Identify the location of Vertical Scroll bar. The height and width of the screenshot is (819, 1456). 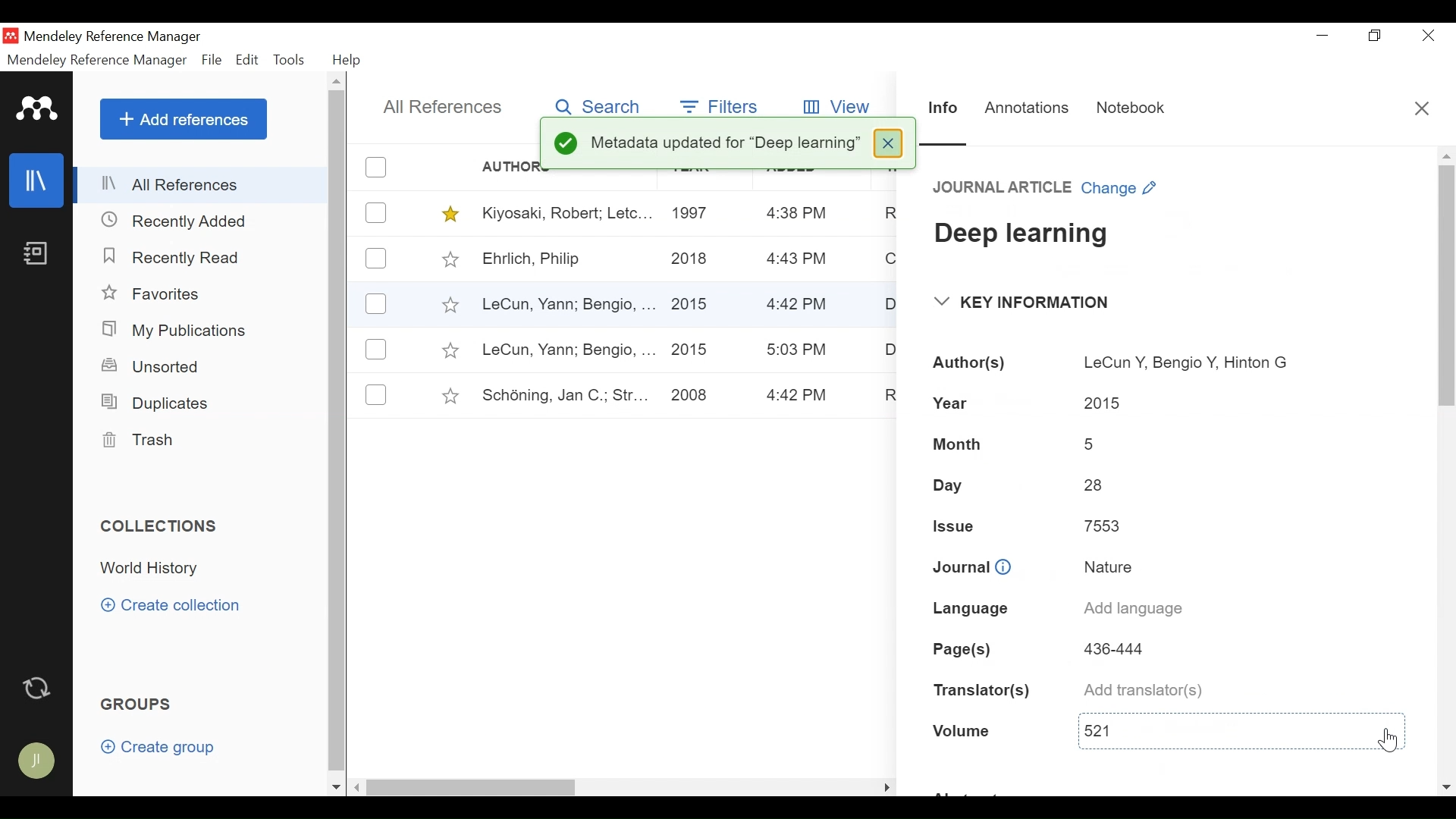
(340, 434).